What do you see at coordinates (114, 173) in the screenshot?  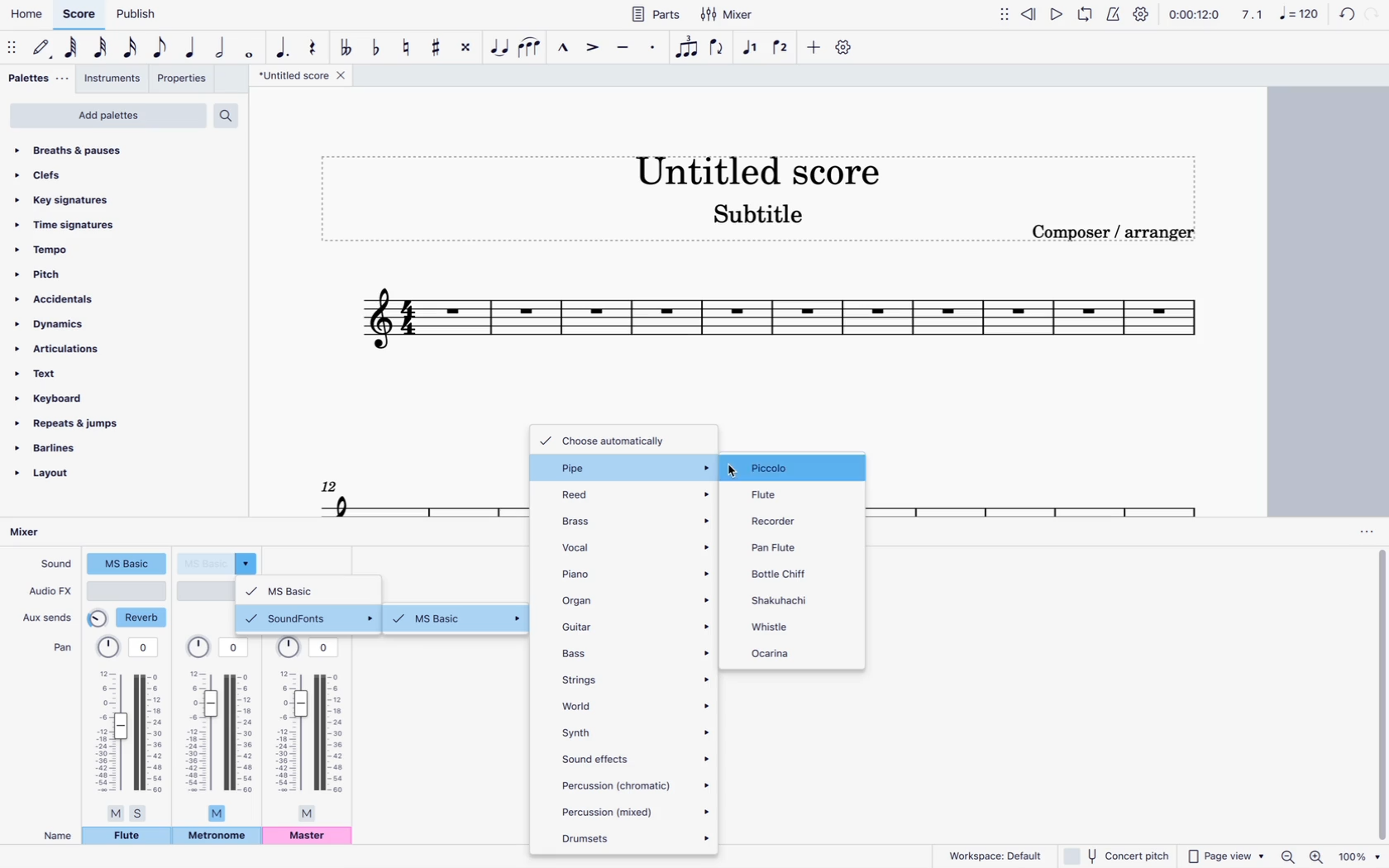 I see `clefs` at bounding box center [114, 173].